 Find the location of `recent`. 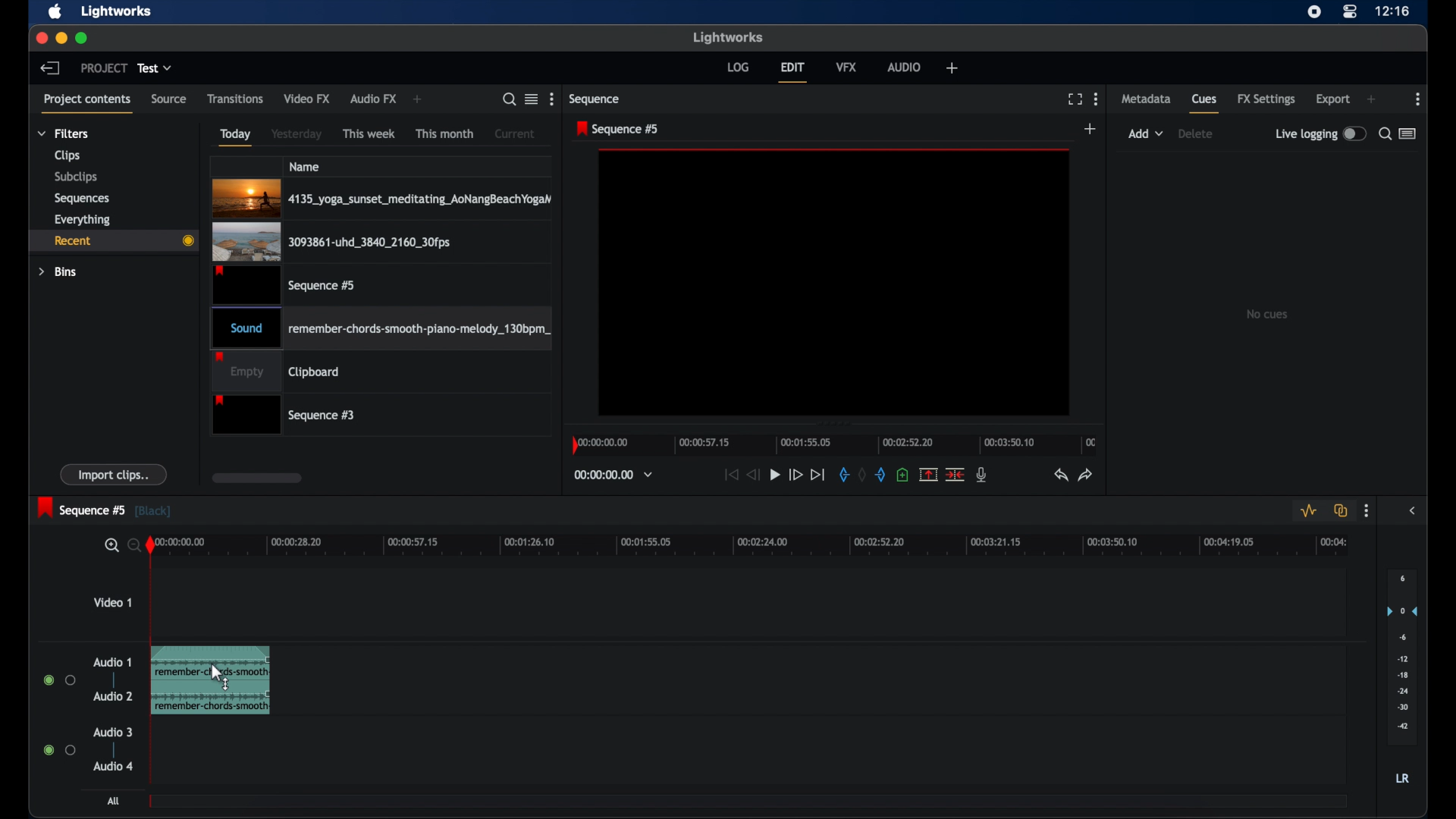

recent is located at coordinates (115, 240).